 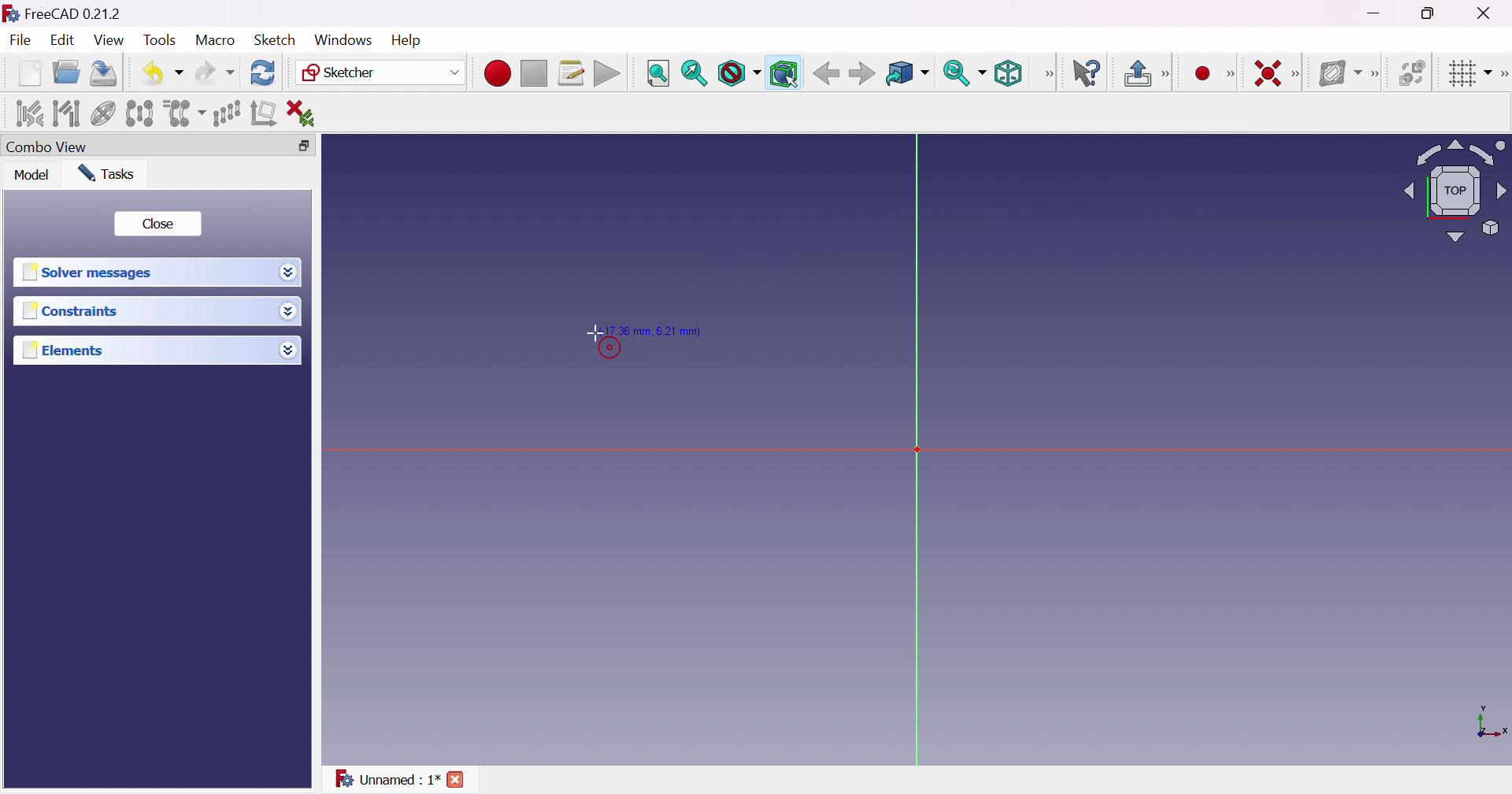 What do you see at coordinates (10, 12) in the screenshot?
I see `logo` at bounding box center [10, 12].